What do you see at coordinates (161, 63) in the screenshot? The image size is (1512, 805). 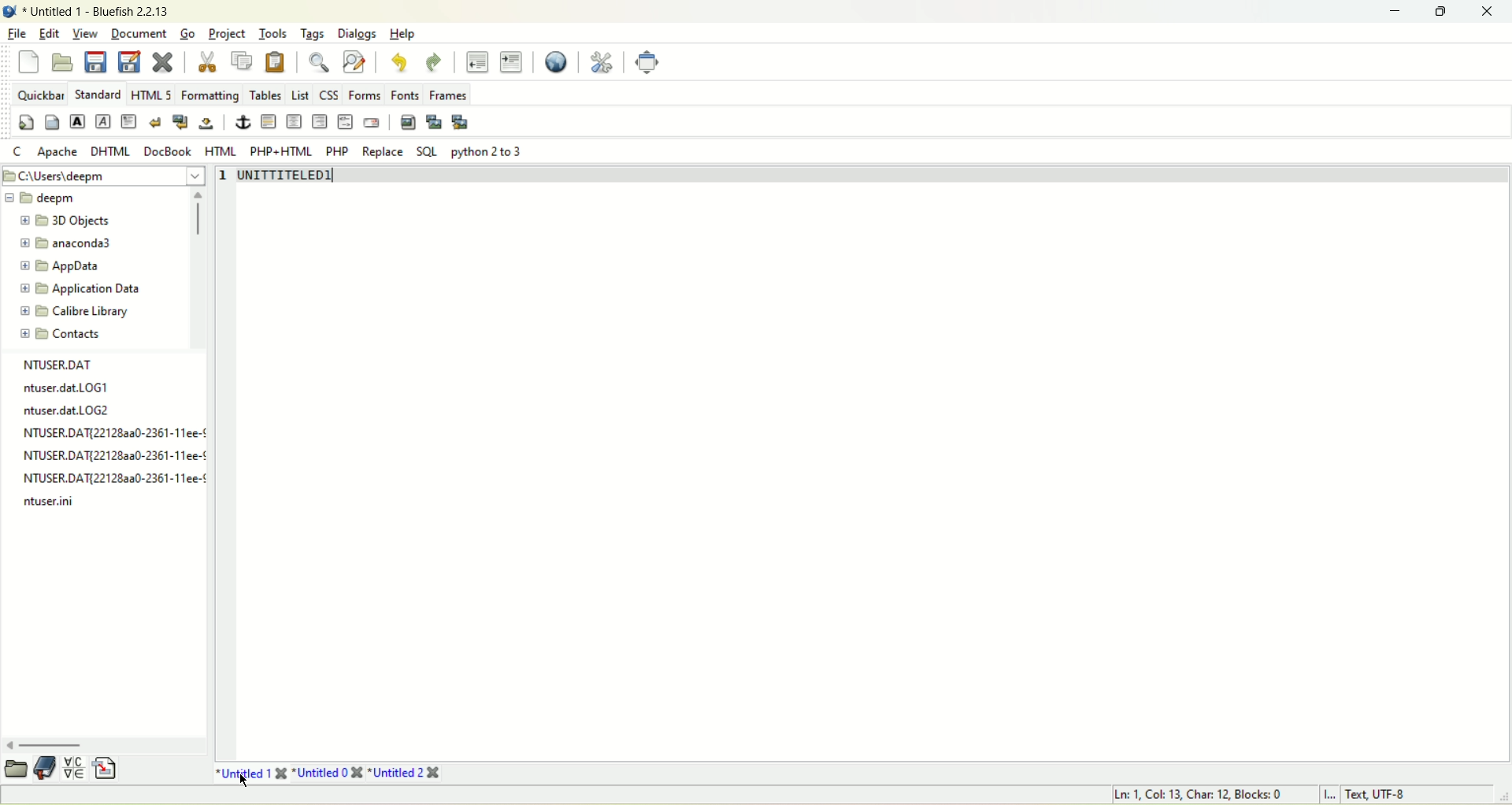 I see `close current file` at bounding box center [161, 63].